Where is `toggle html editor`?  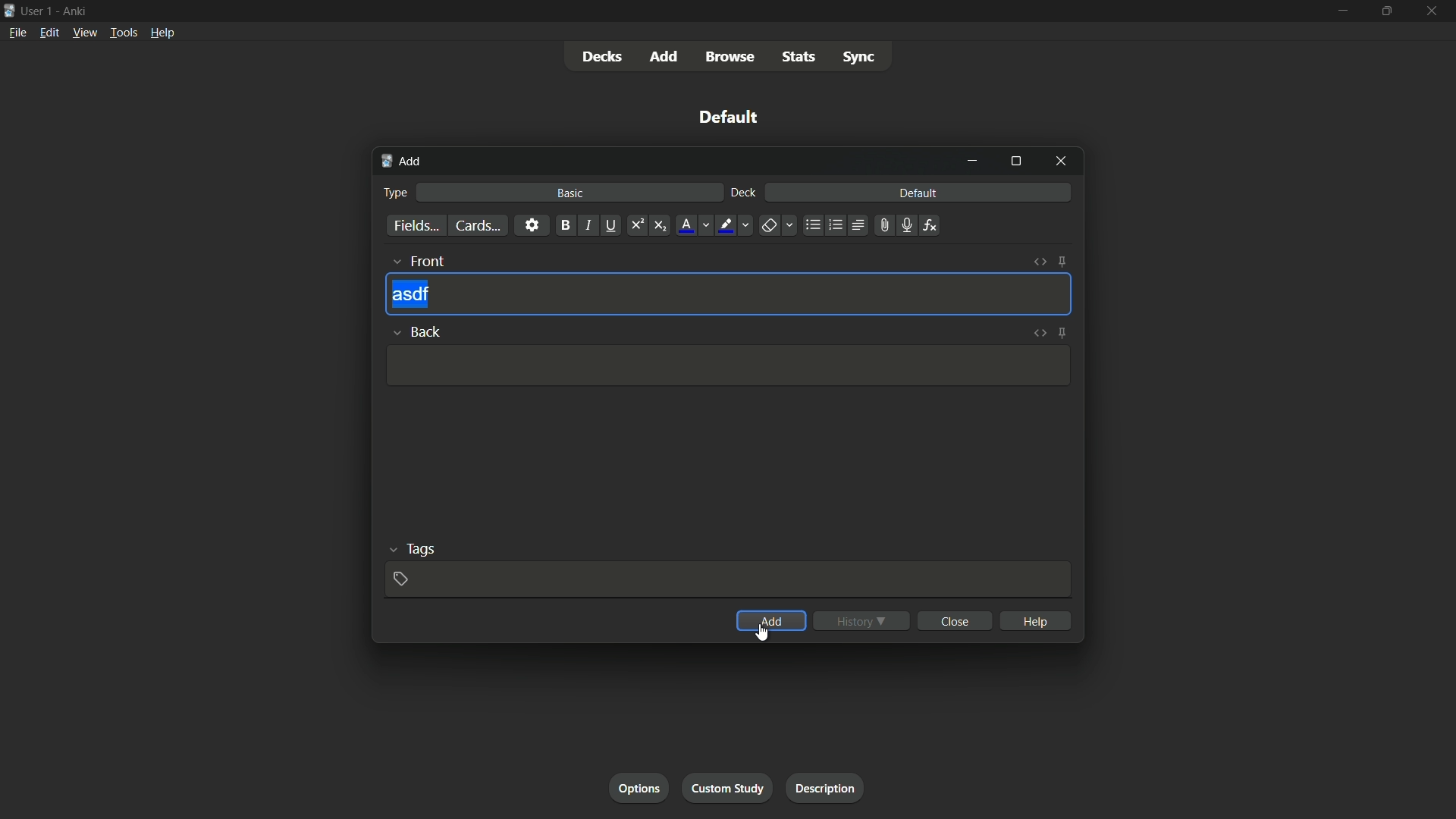
toggle html editor is located at coordinates (1040, 262).